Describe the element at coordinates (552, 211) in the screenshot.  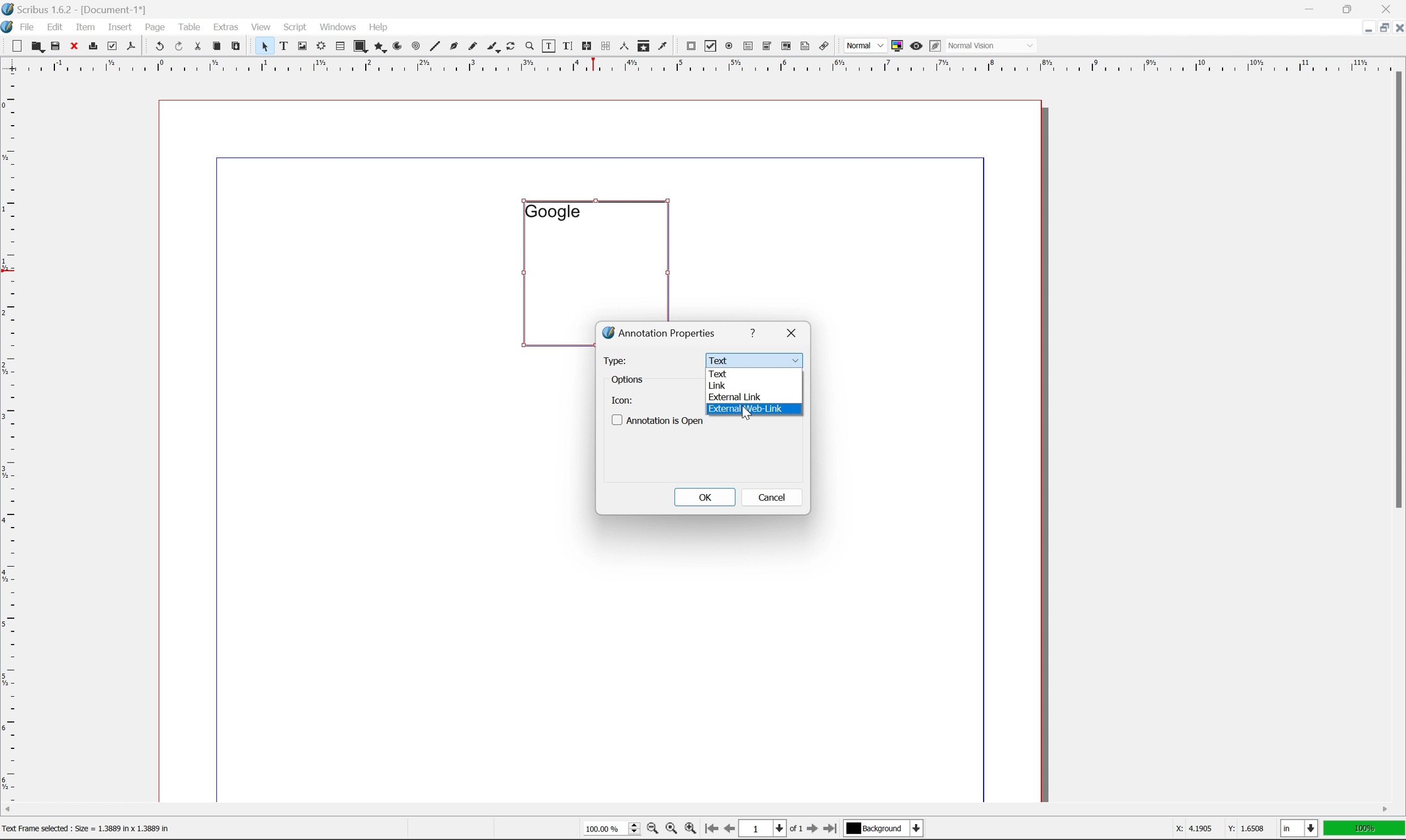
I see `google` at that location.